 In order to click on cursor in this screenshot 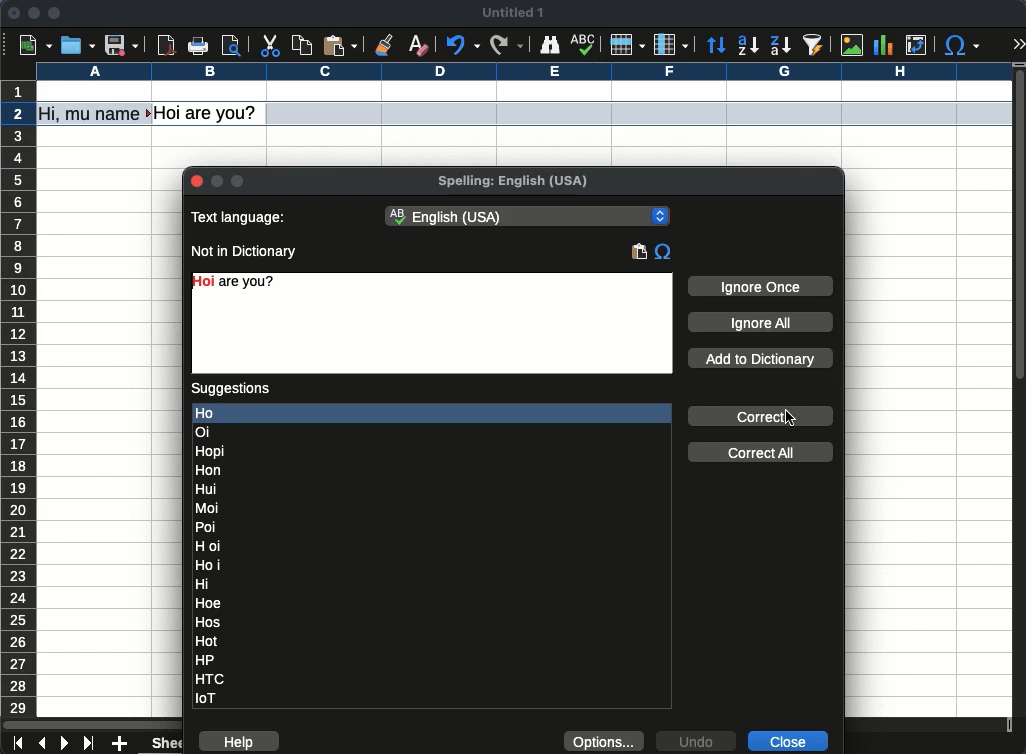, I will do `click(790, 418)`.